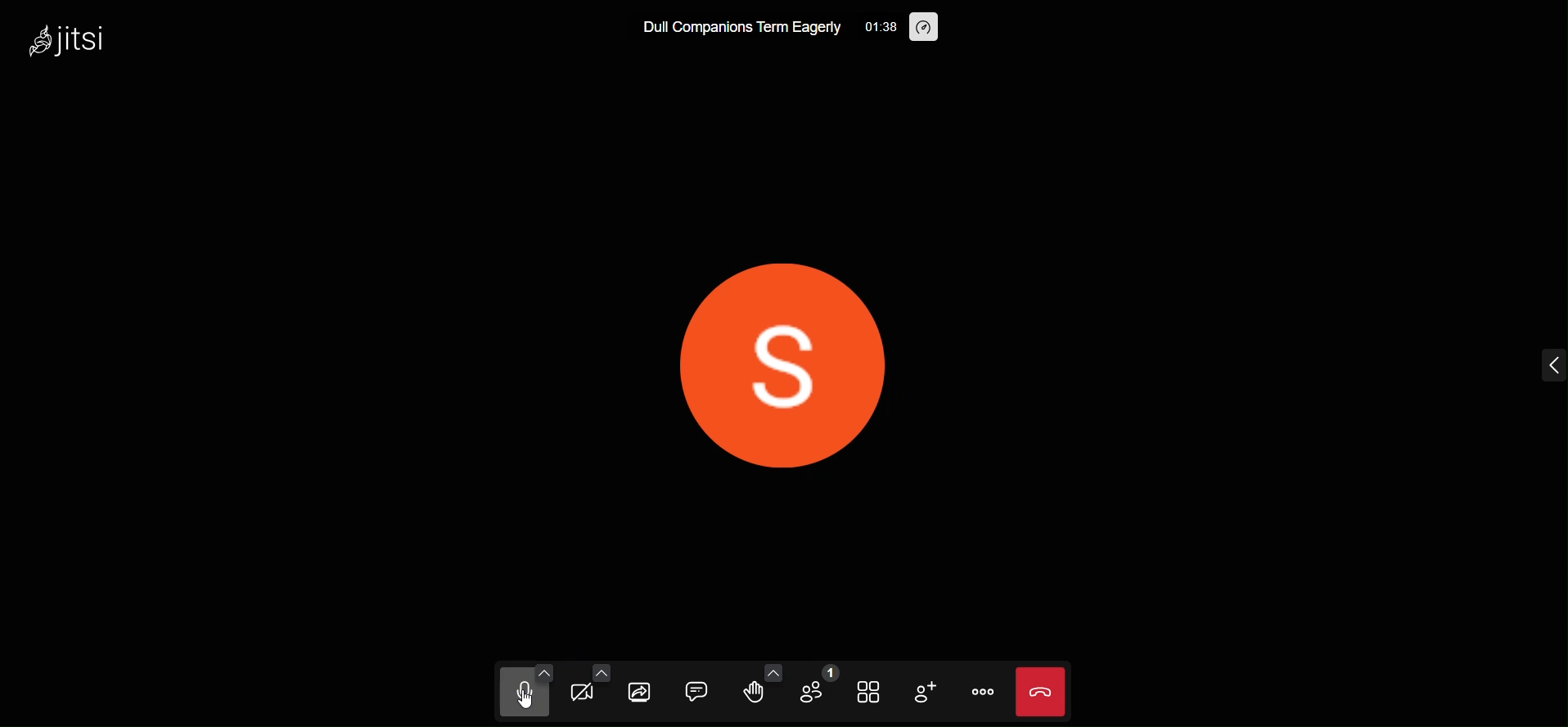 This screenshot has width=1568, height=727. What do you see at coordinates (640, 693) in the screenshot?
I see `screen share` at bounding box center [640, 693].